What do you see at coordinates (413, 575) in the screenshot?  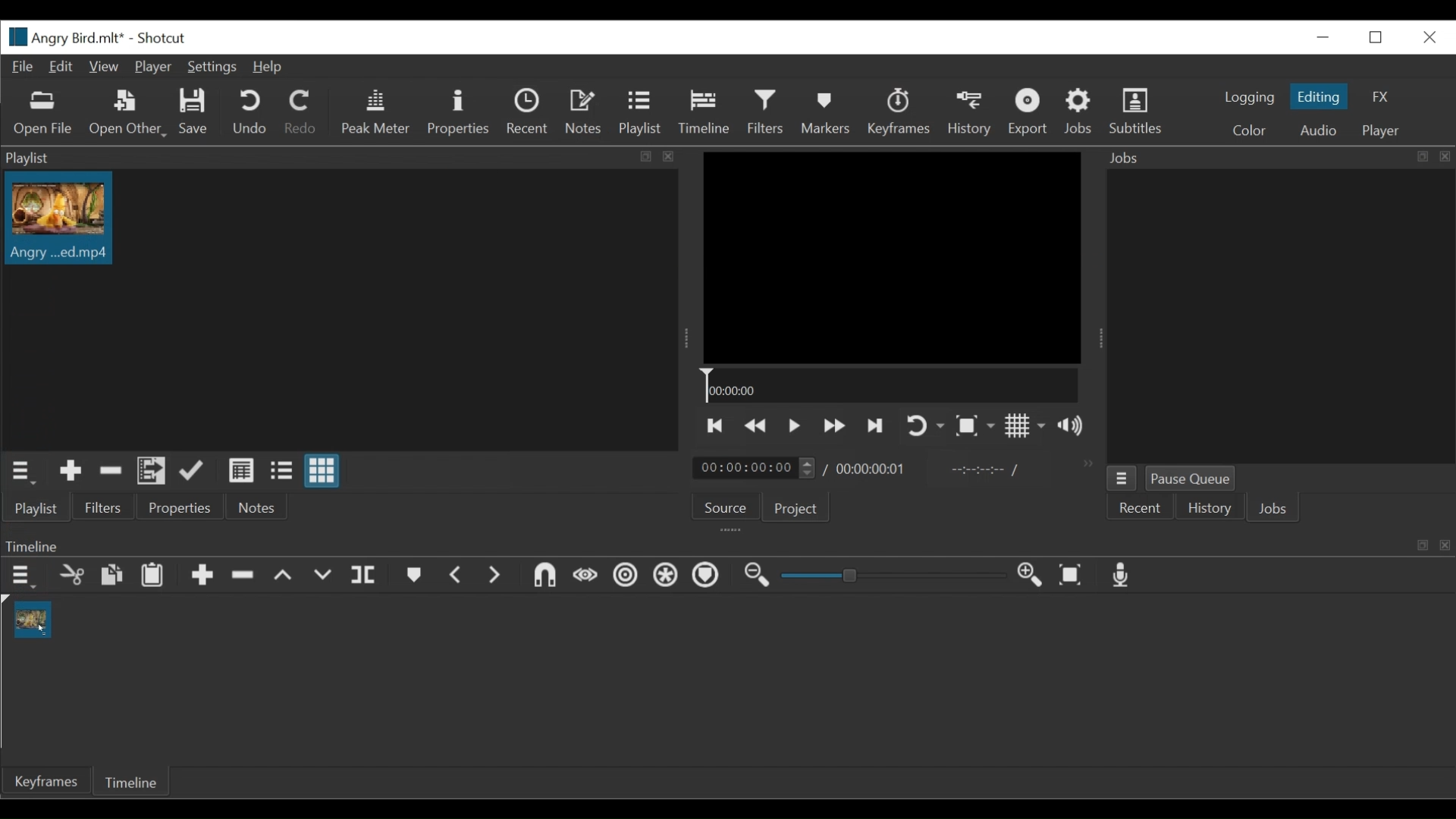 I see `Markers` at bounding box center [413, 575].